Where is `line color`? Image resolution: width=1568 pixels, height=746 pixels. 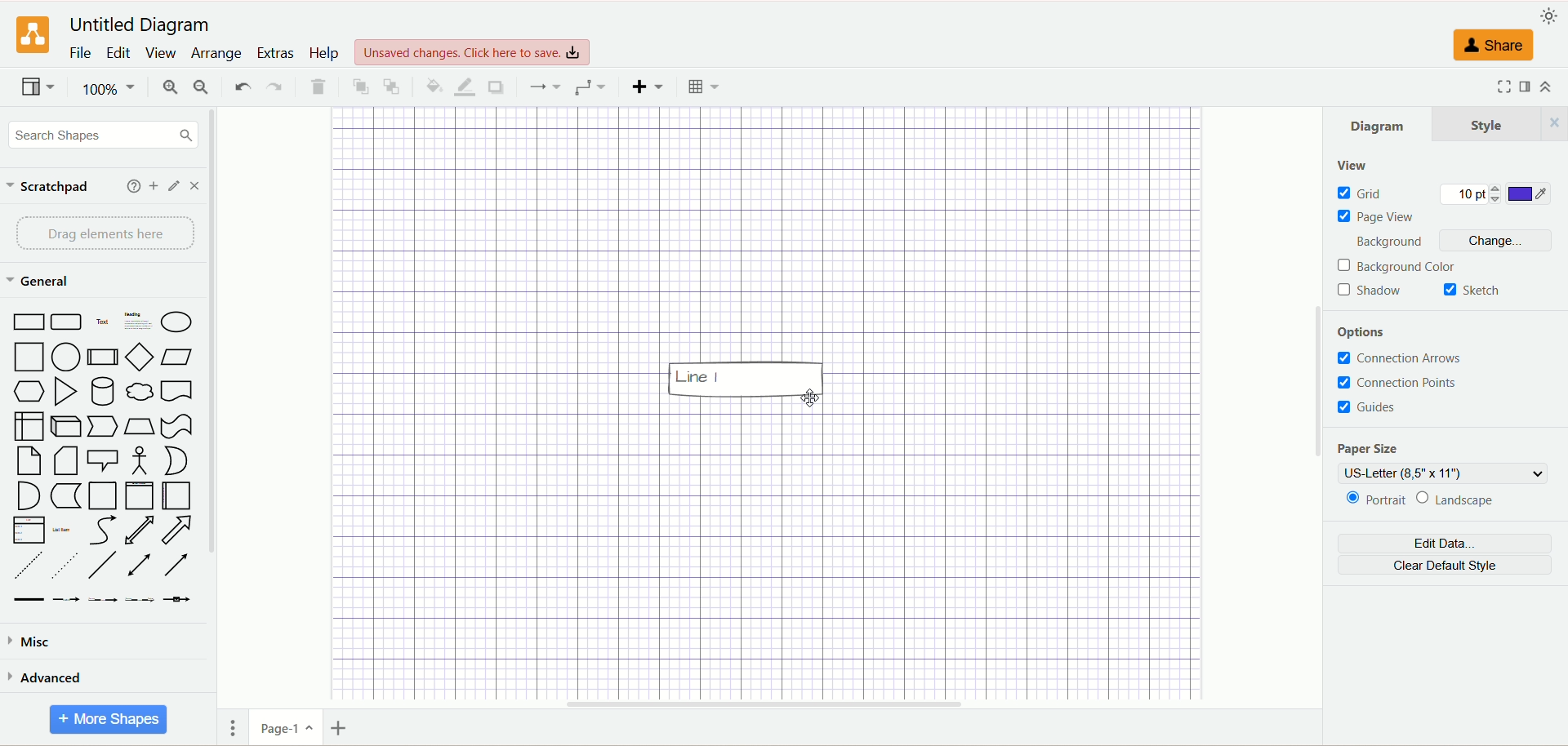
line color is located at coordinates (462, 87).